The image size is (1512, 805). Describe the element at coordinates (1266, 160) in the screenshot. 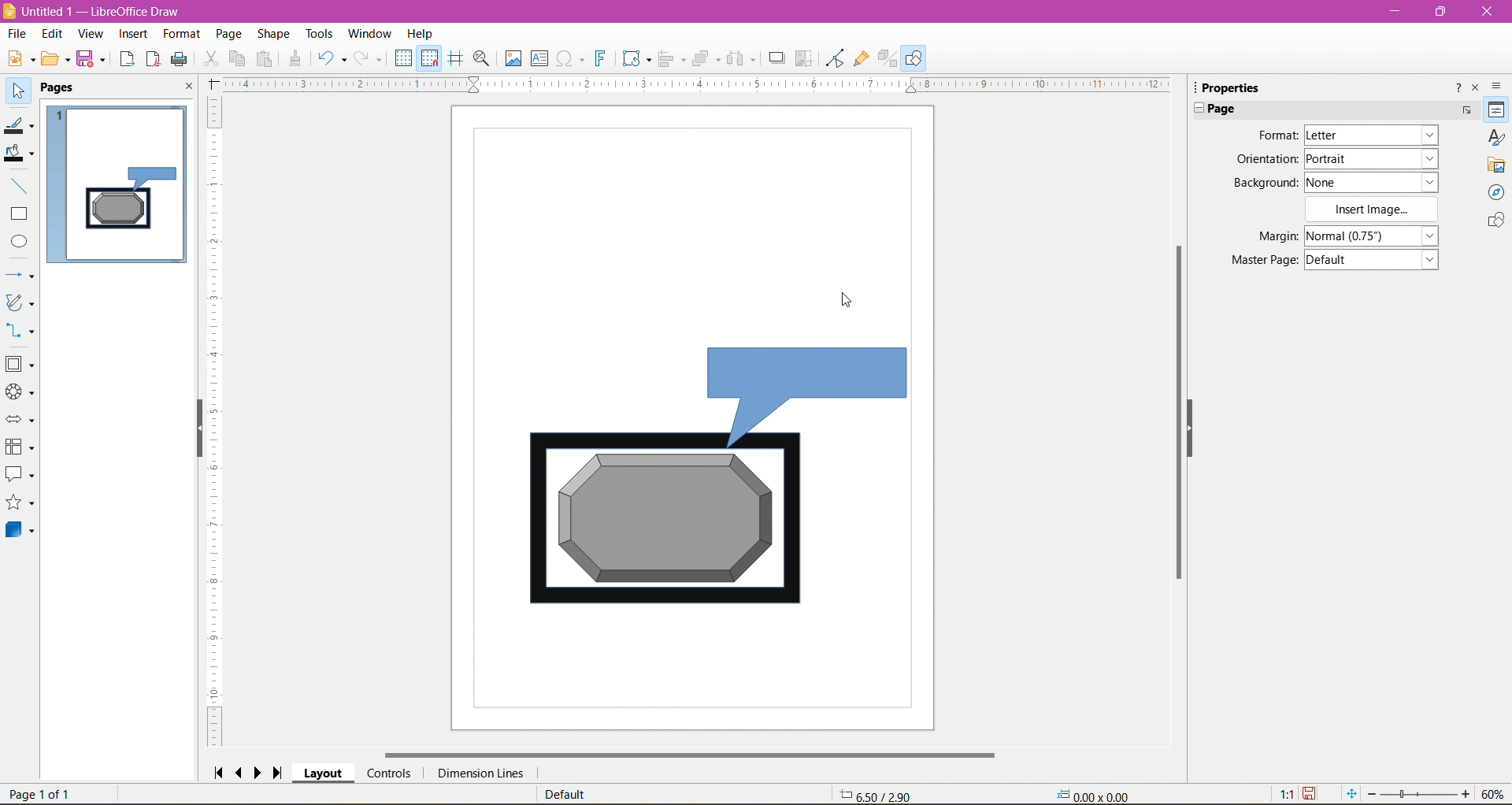

I see `Orientation` at that location.